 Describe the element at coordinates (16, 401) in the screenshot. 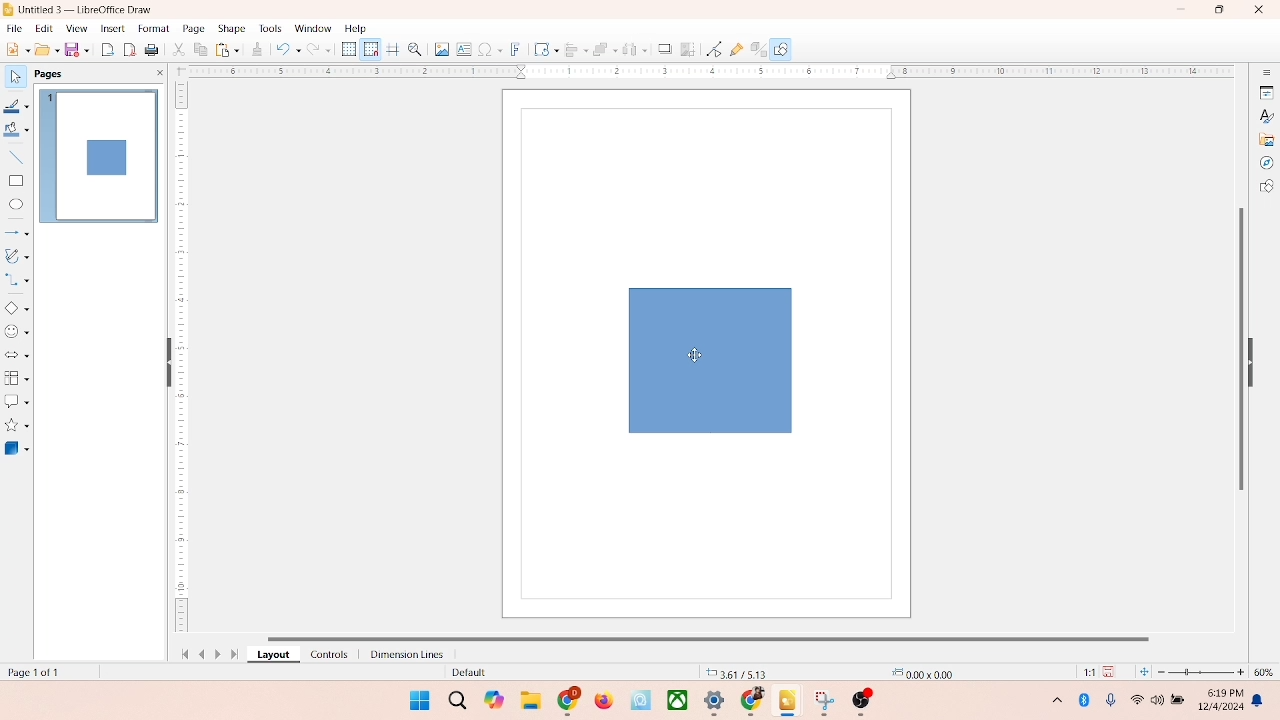

I see `callout` at that location.